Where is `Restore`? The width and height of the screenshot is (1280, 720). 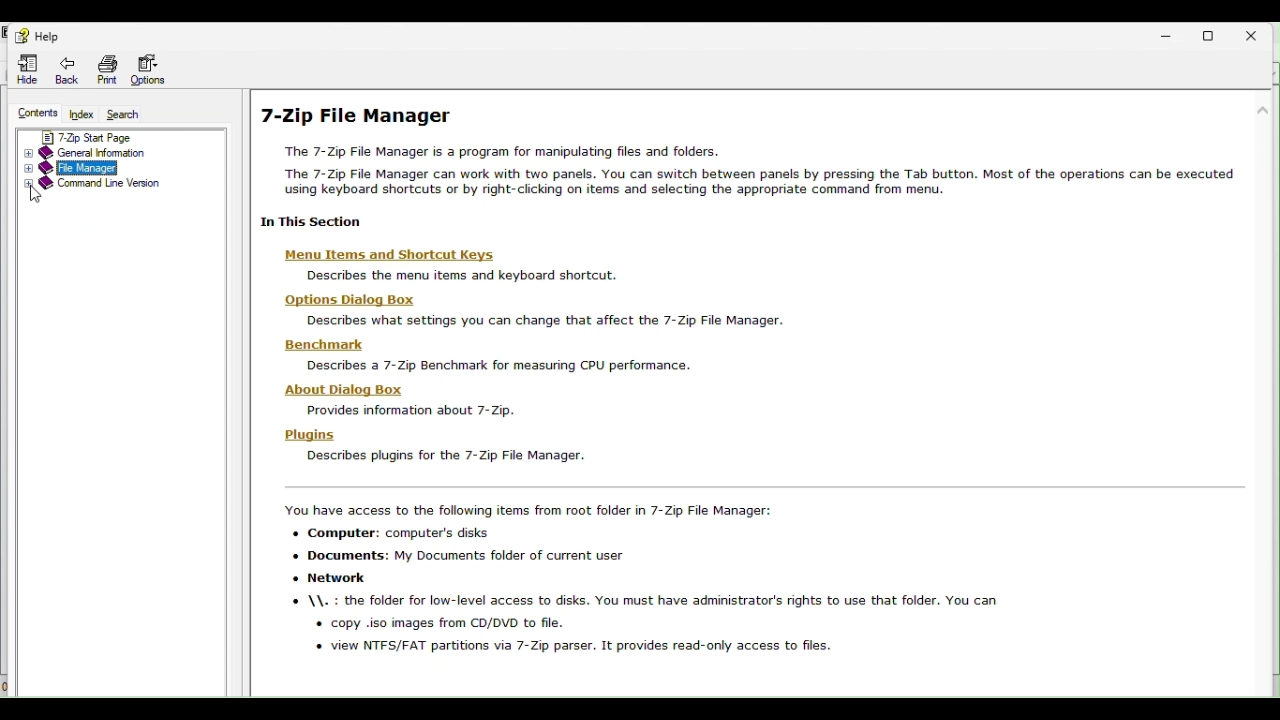
Restore is located at coordinates (1215, 35).